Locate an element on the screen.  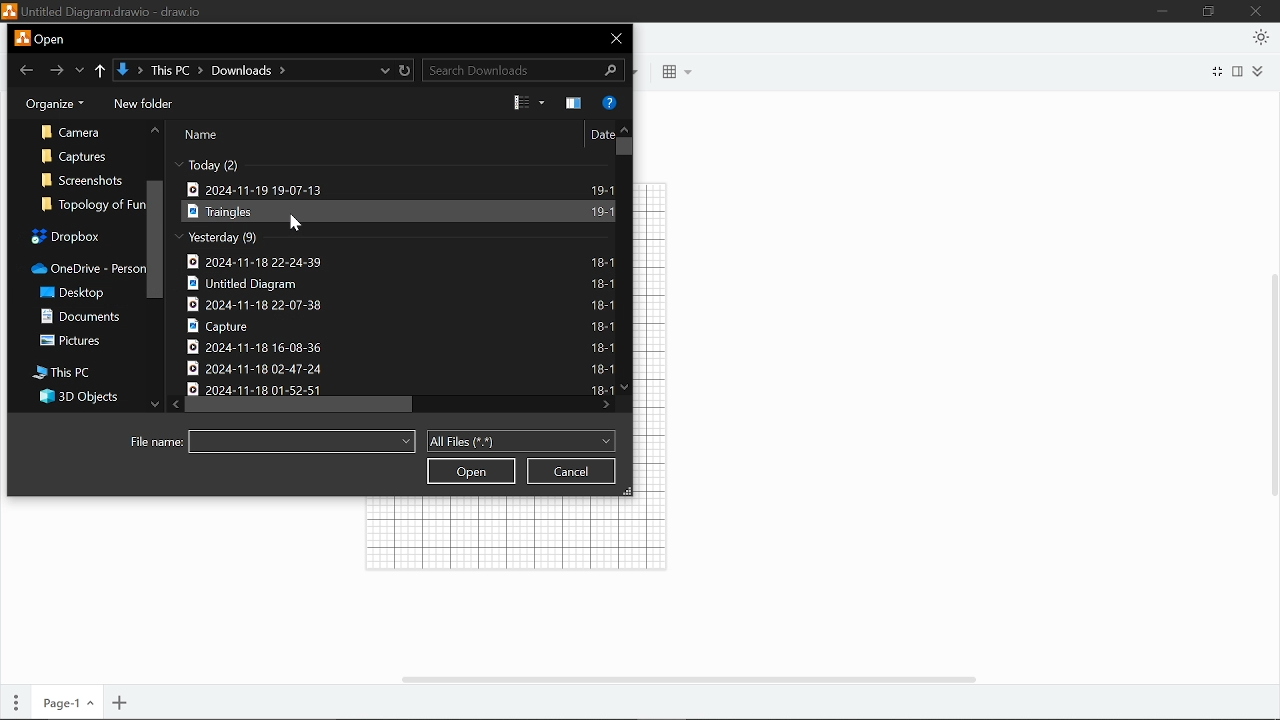
Horizontal scrollbar in all files is located at coordinates (300, 404).